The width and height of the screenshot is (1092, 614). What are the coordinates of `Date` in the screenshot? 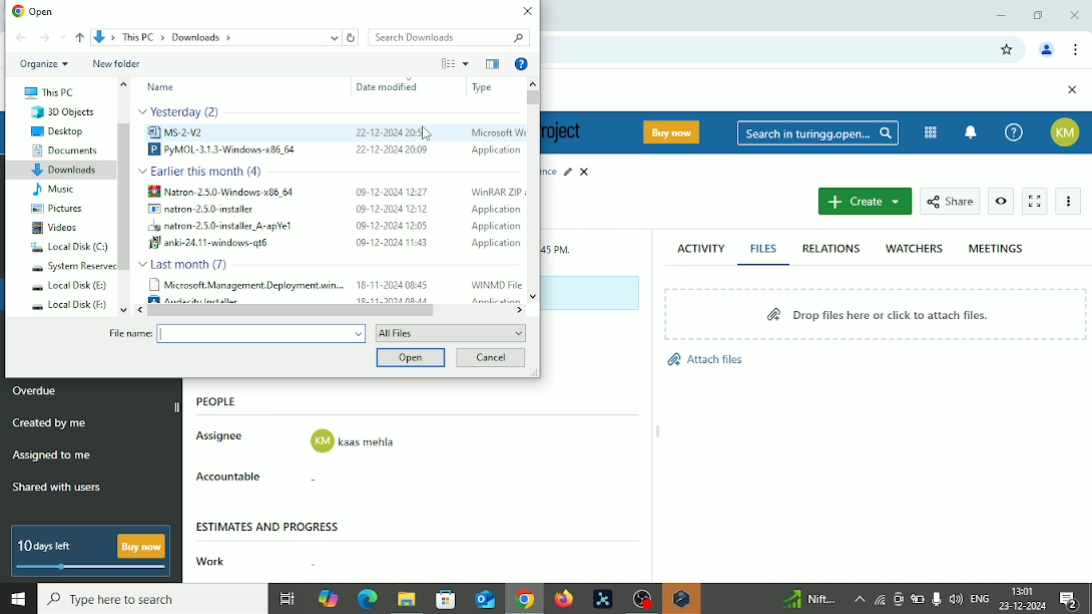 It's located at (1024, 606).